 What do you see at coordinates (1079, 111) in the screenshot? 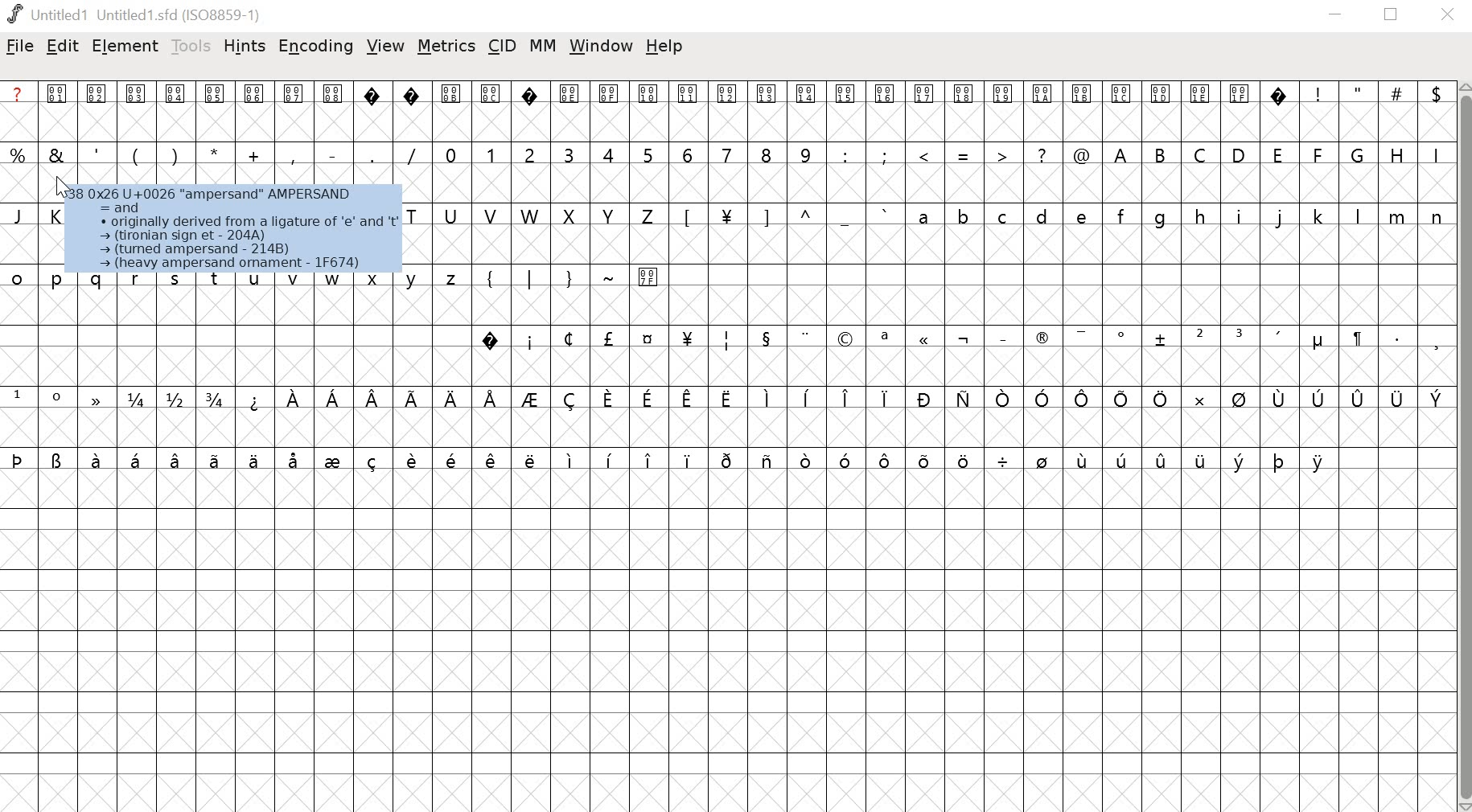
I see `001B` at bounding box center [1079, 111].